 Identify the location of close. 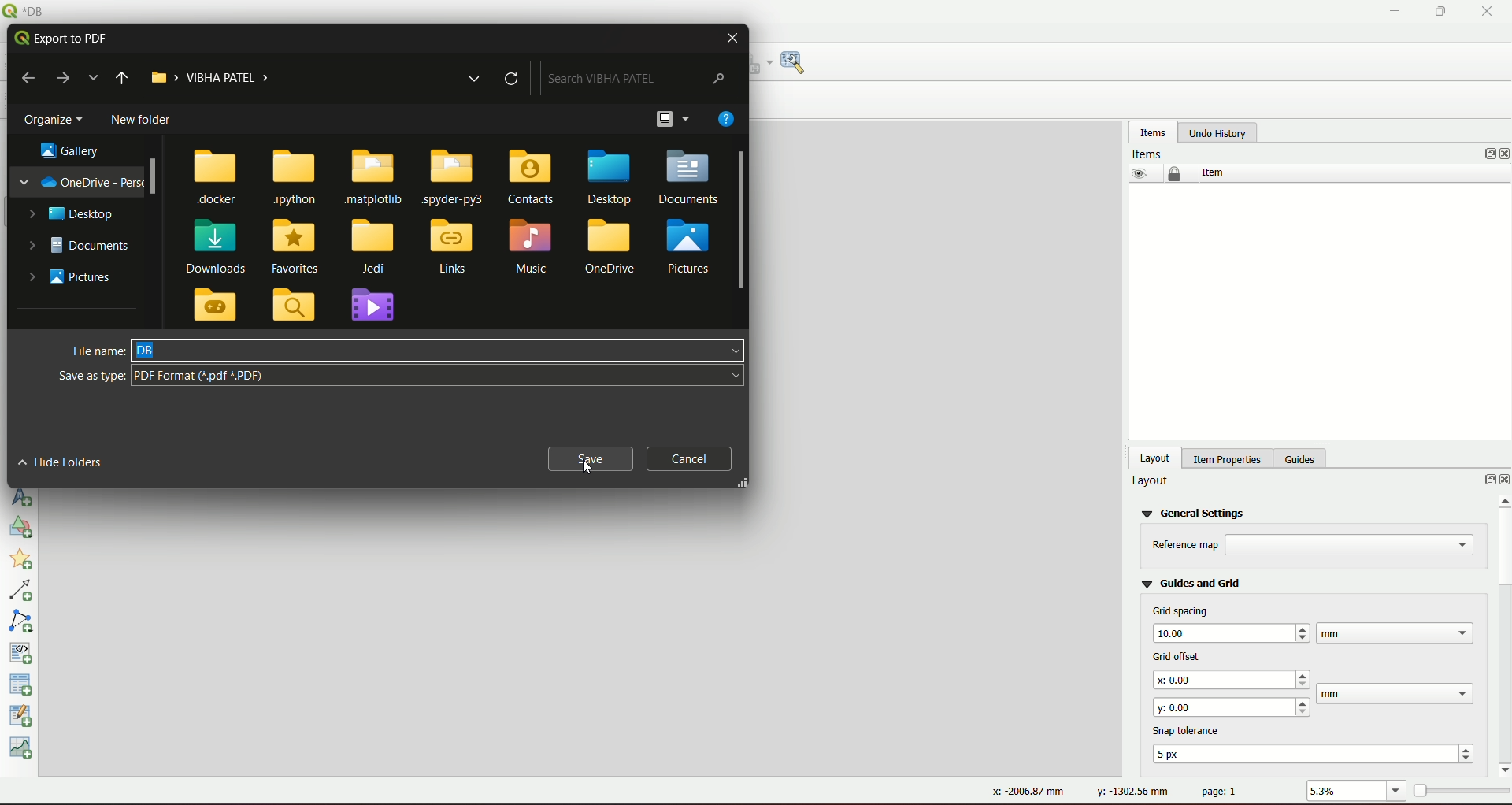
(1487, 12).